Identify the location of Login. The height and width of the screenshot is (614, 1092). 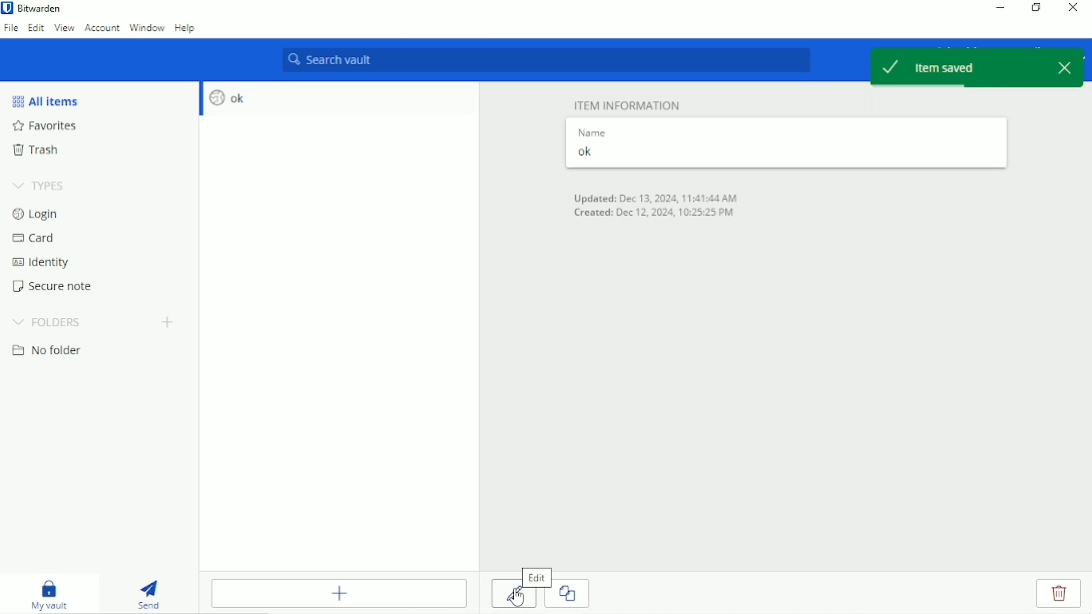
(37, 214).